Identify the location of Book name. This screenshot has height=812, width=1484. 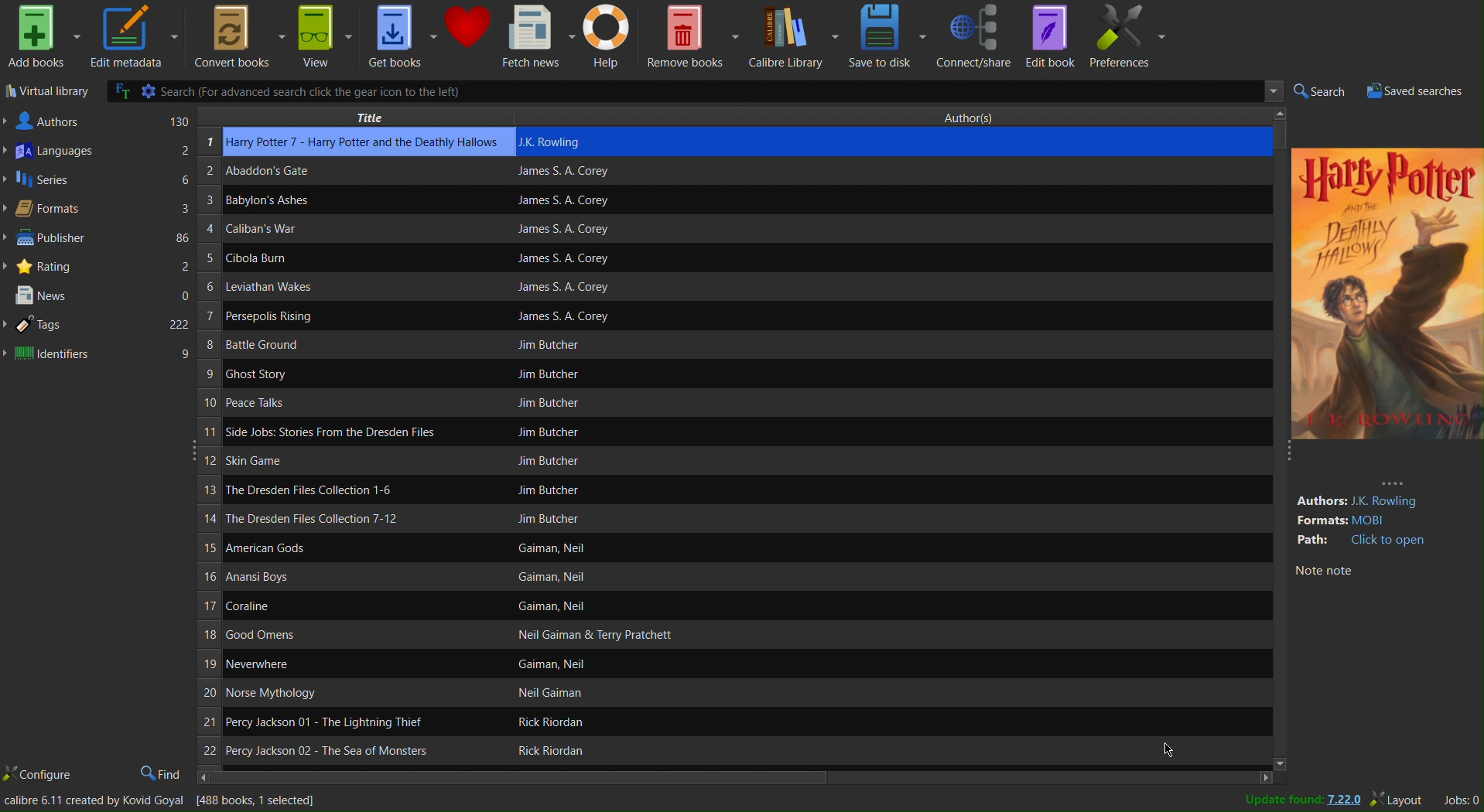
(342, 609).